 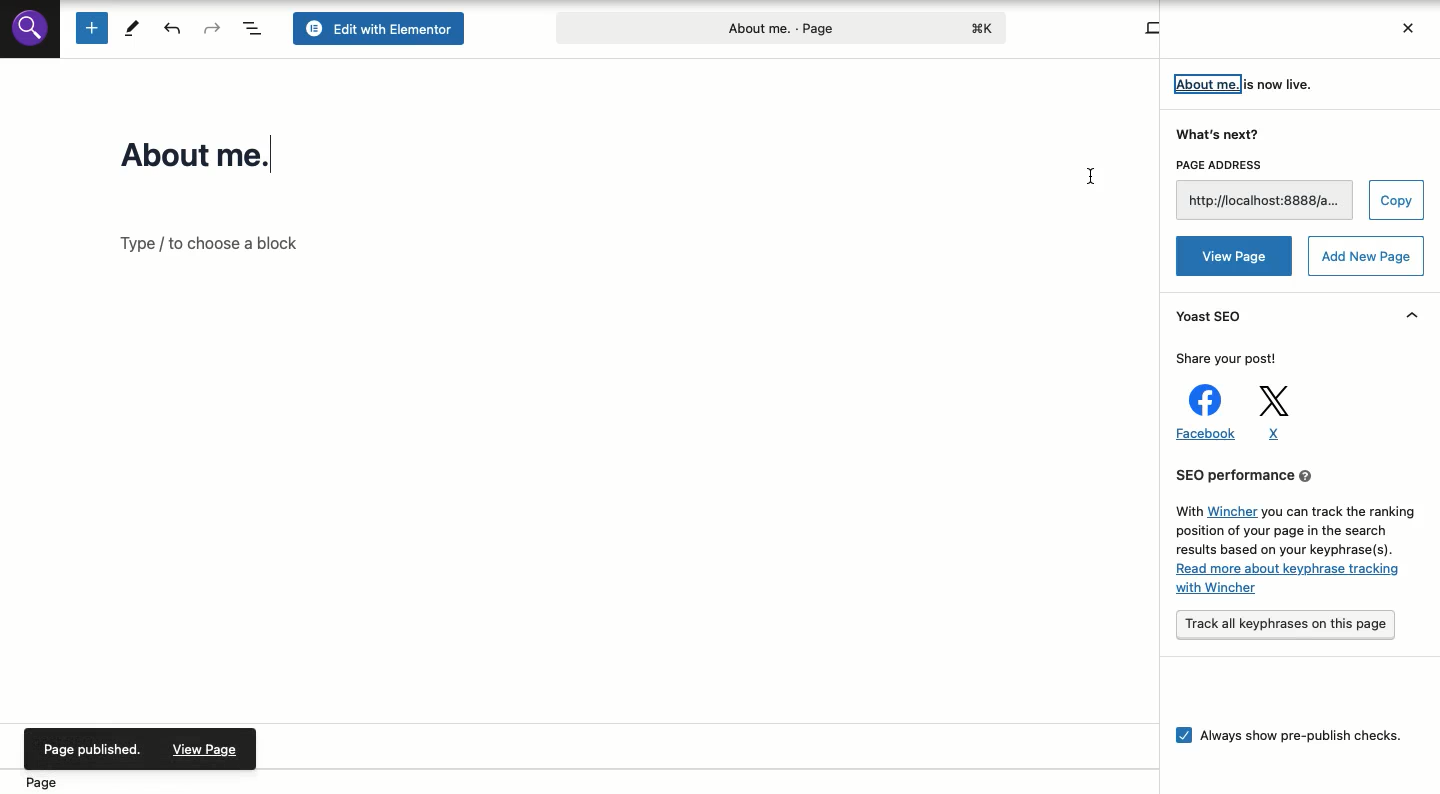 What do you see at coordinates (1340, 513) in the screenshot?
I see `you can track the ranking` at bounding box center [1340, 513].